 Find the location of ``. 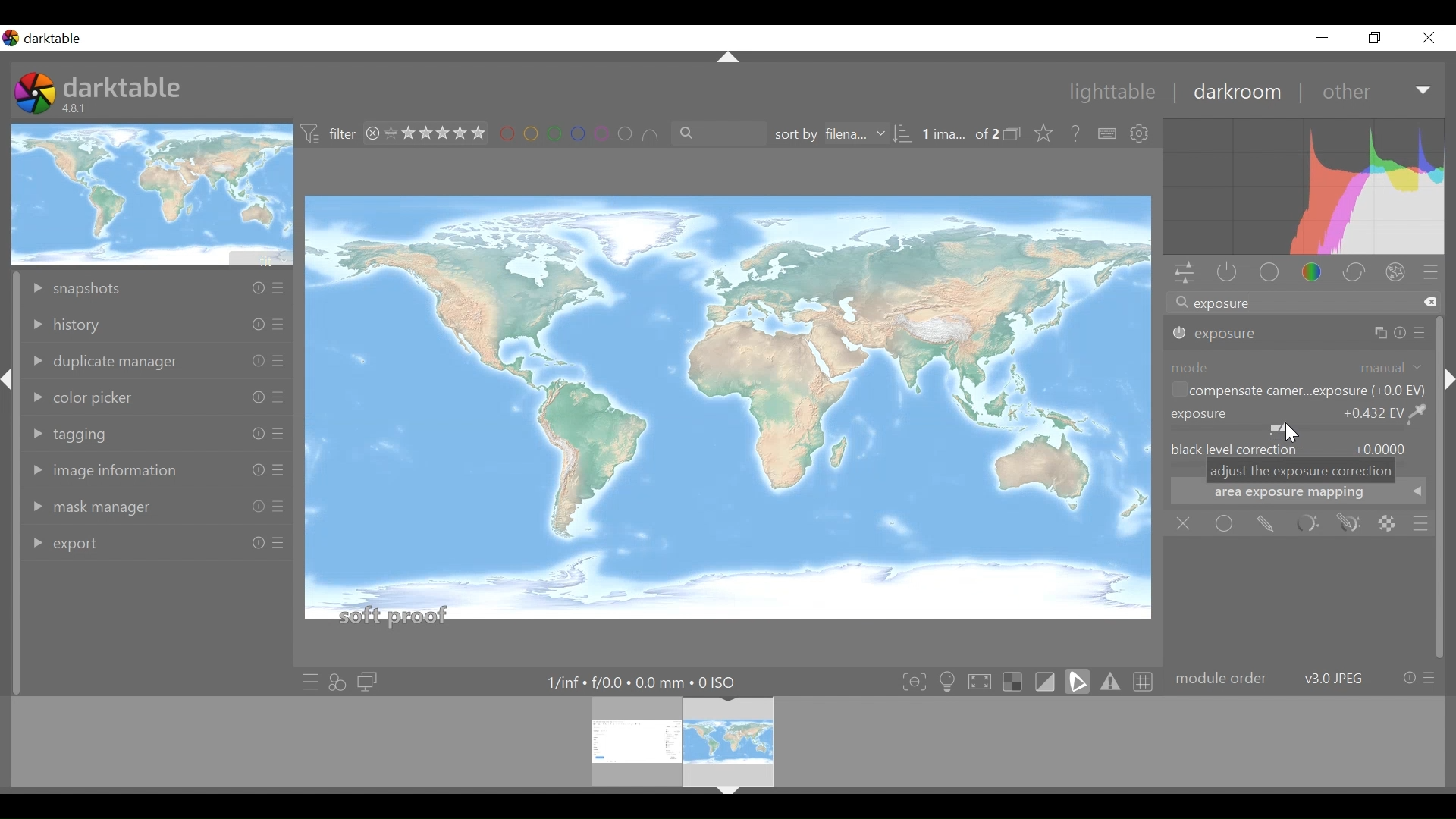

 is located at coordinates (1349, 524).